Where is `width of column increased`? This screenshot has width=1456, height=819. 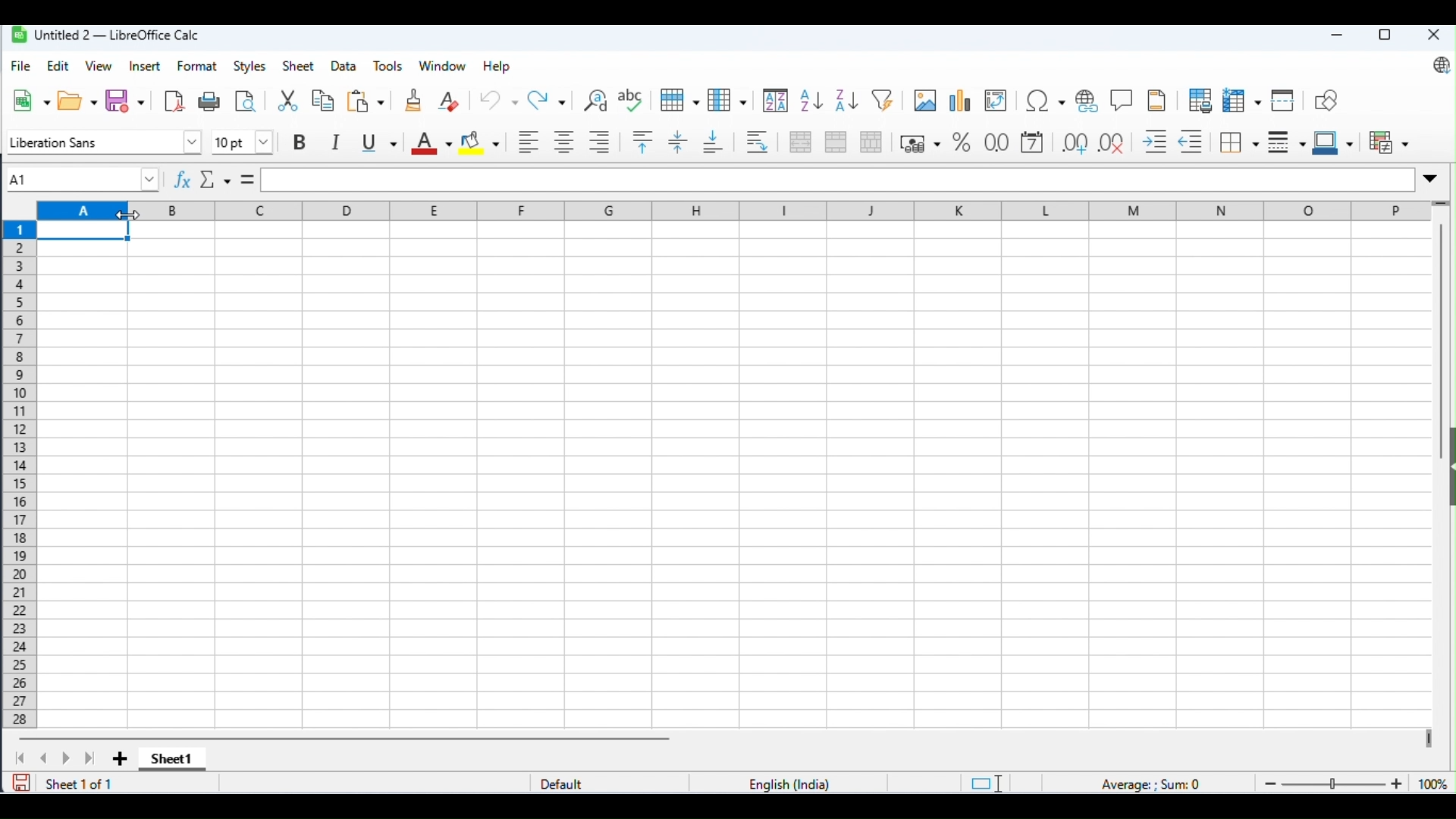
width of column increased is located at coordinates (83, 476).